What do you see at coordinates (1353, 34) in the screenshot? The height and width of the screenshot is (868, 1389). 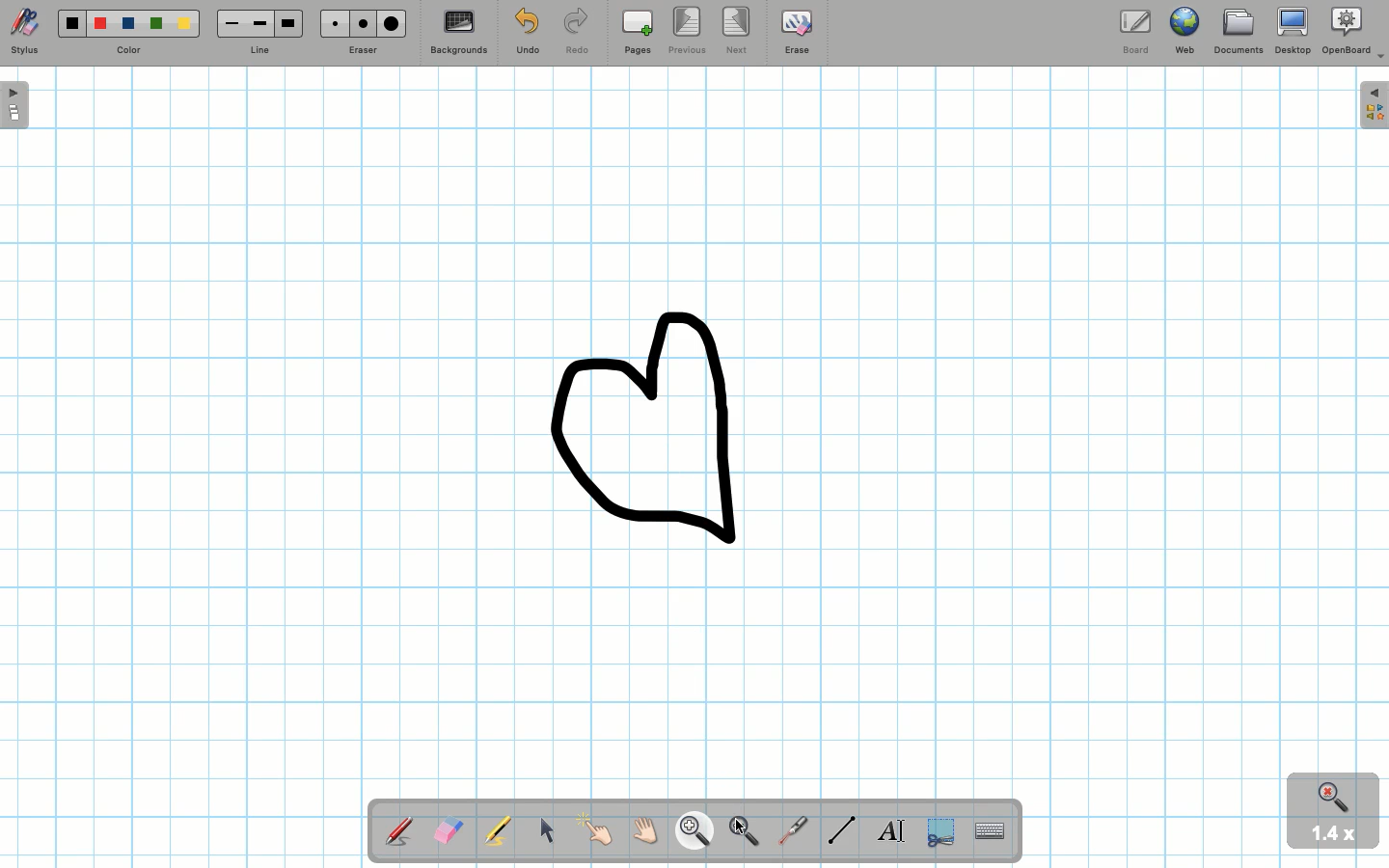 I see `OpenBoard` at bounding box center [1353, 34].